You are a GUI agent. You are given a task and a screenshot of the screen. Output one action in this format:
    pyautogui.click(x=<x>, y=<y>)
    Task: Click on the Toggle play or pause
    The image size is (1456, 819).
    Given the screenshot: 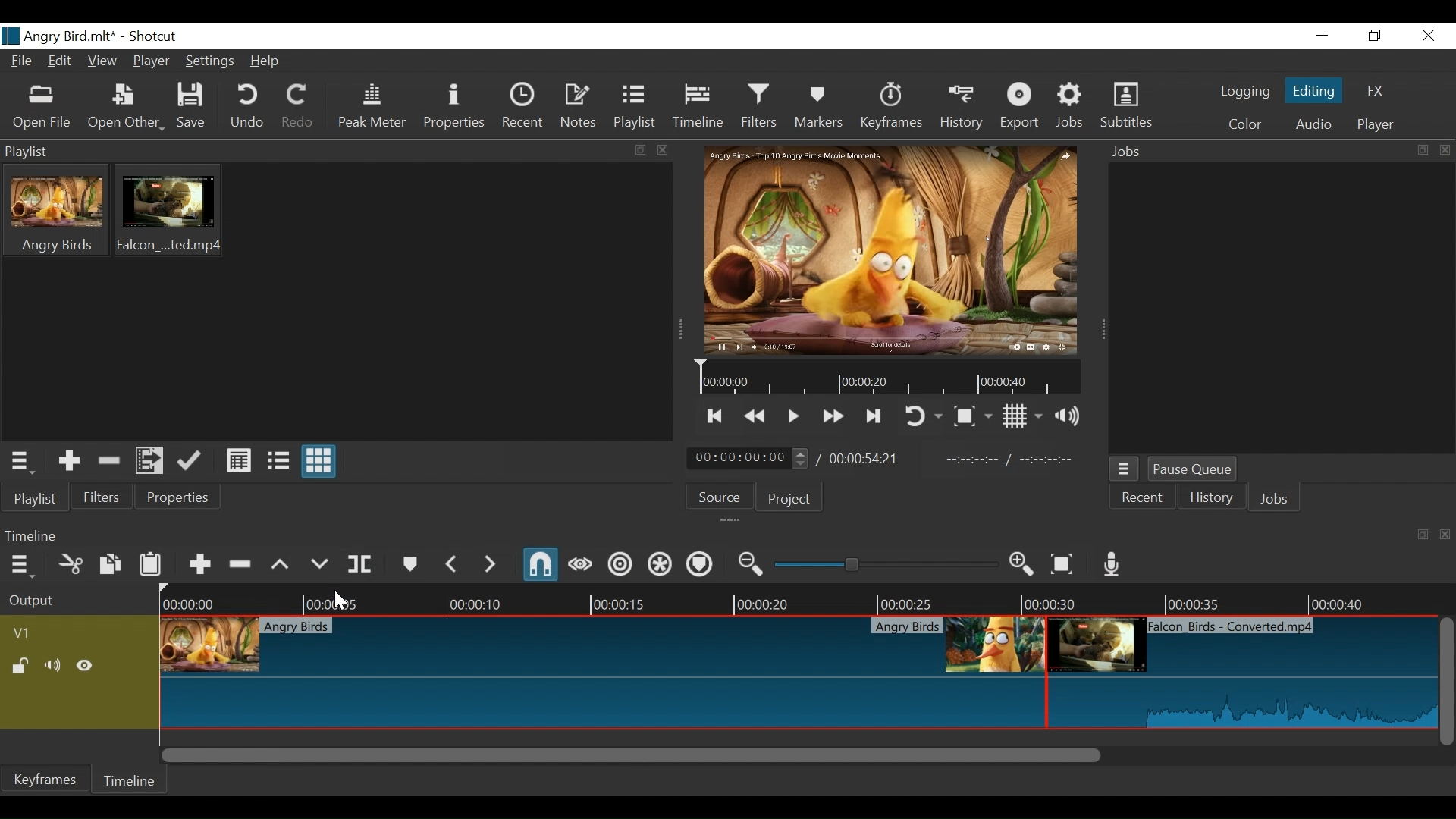 What is the action you would take?
    pyautogui.click(x=794, y=416)
    